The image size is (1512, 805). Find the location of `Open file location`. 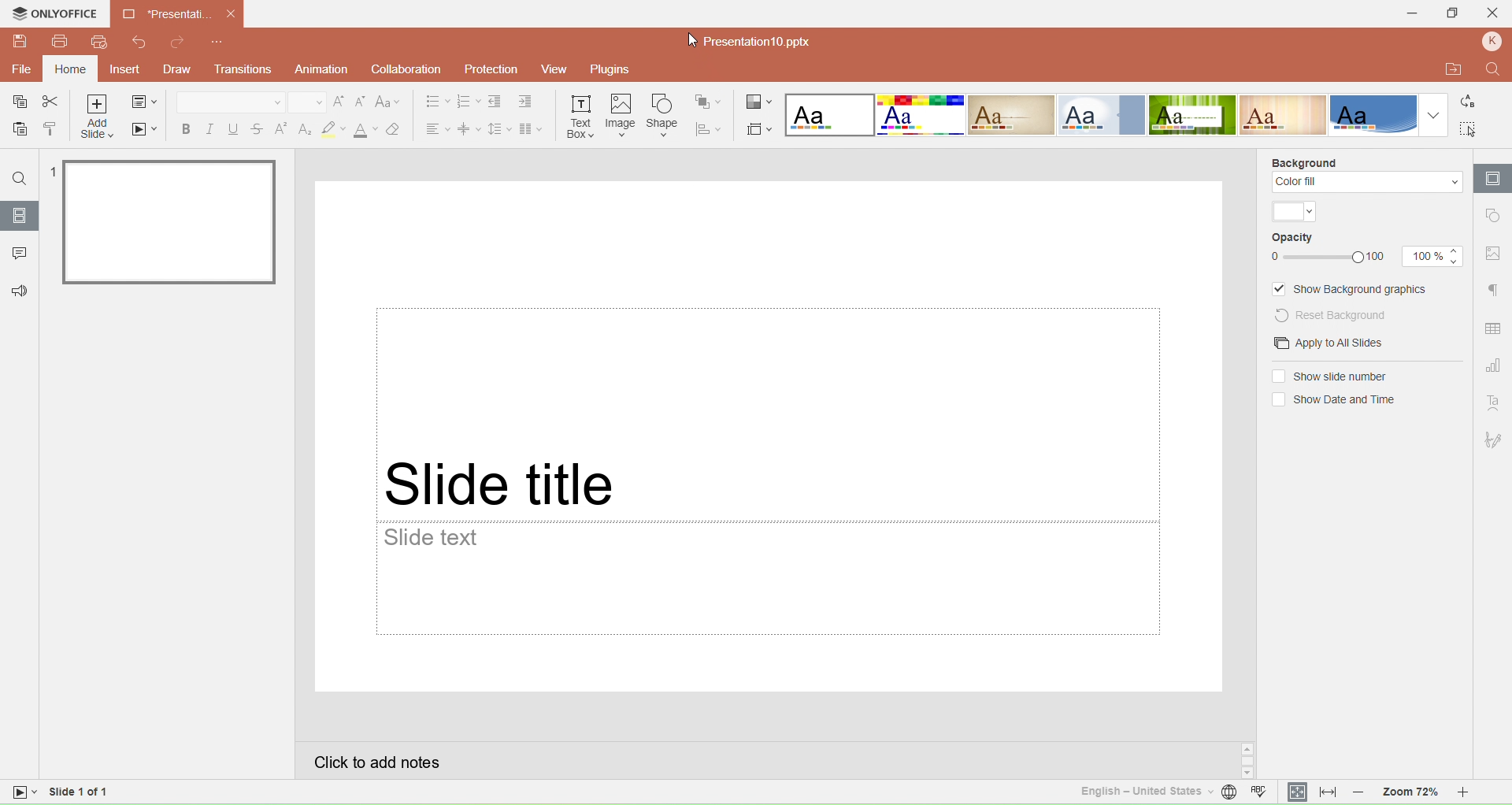

Open file location is located at coordinates (1448, 69).